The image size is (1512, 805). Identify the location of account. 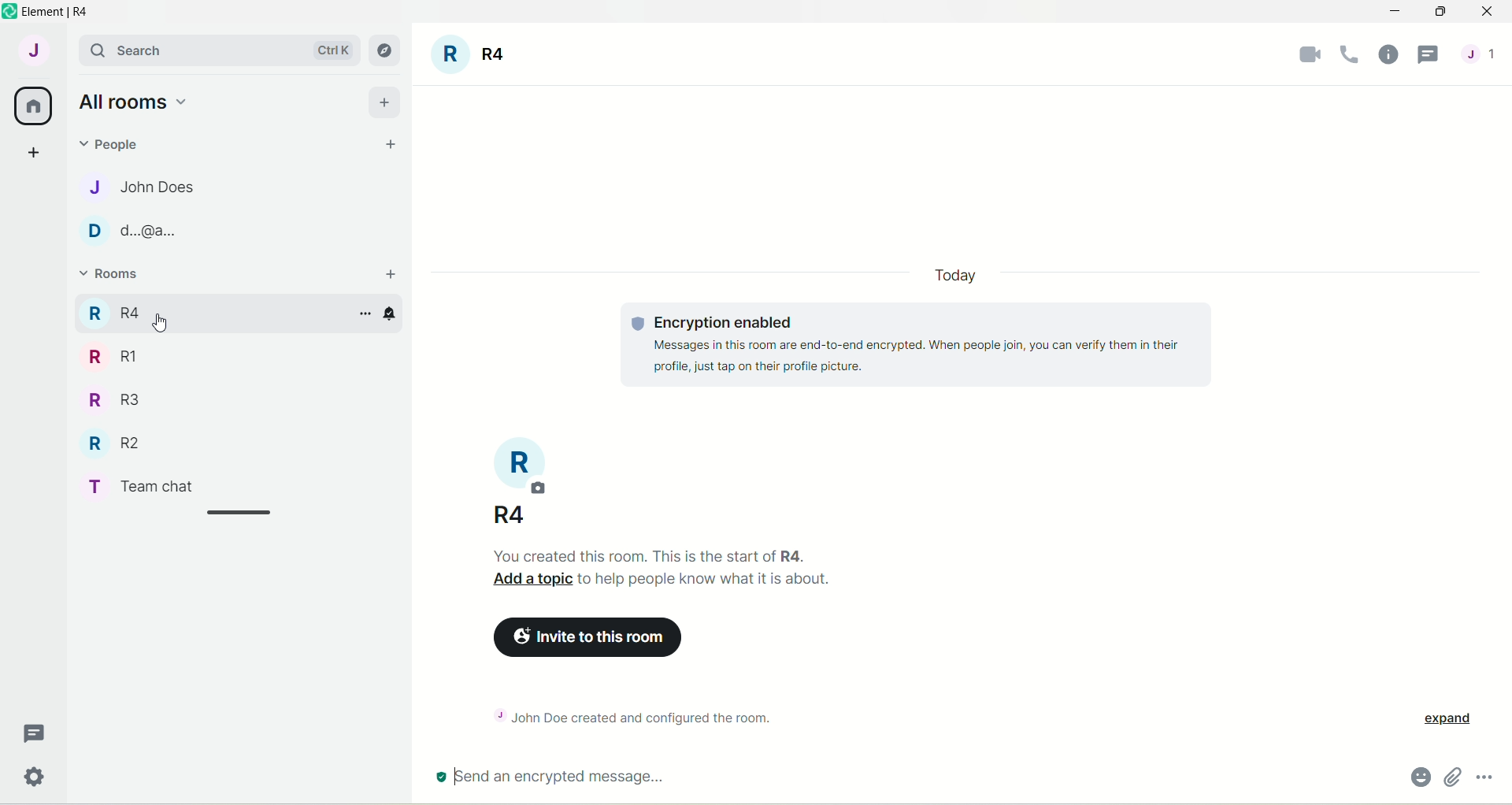
(32, 50).